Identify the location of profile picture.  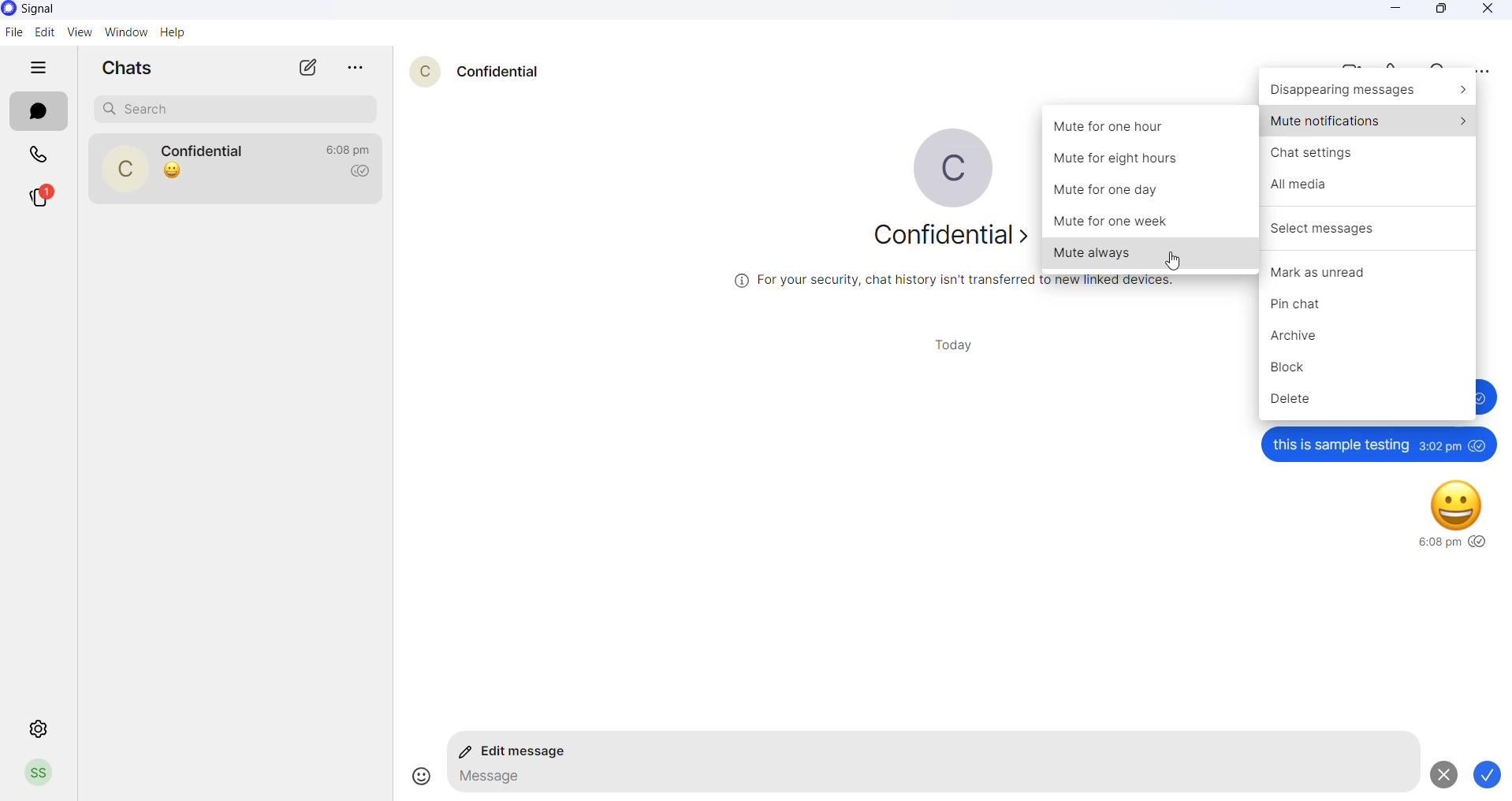
(417, 69).